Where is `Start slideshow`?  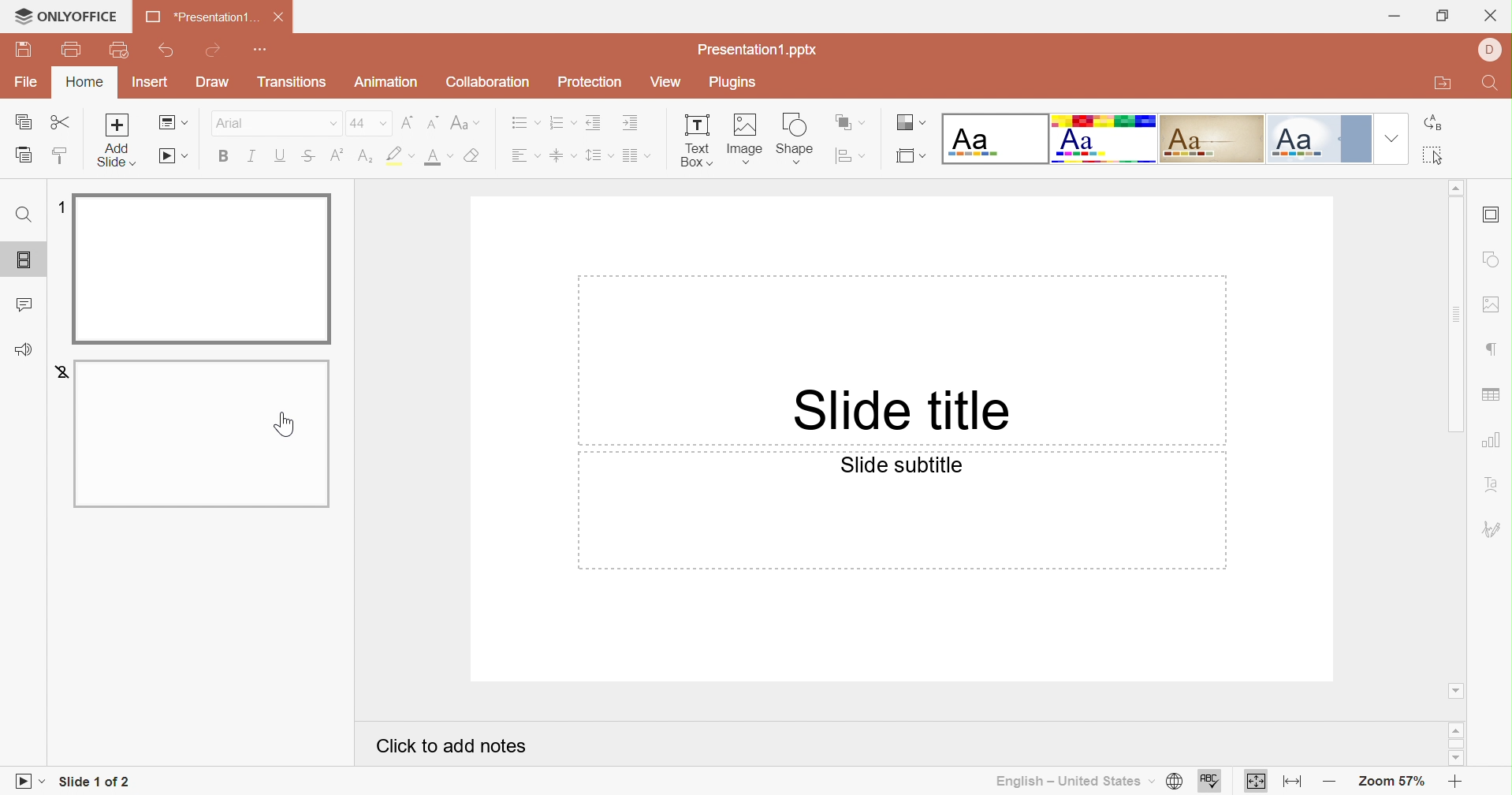
Start slideshow is located at coordinates (29, 782).